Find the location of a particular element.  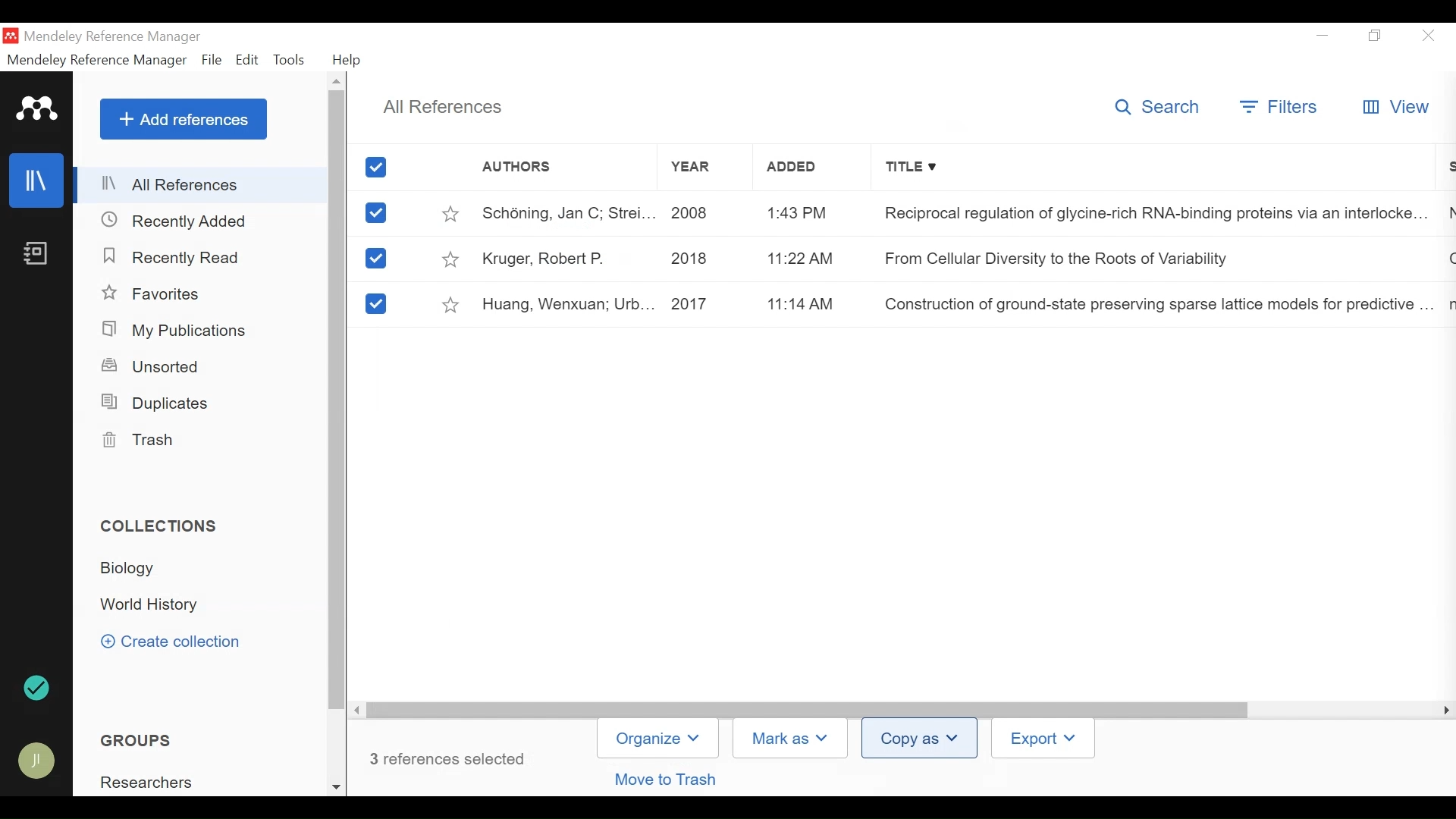

2017 is located at coordinates (704, 303).